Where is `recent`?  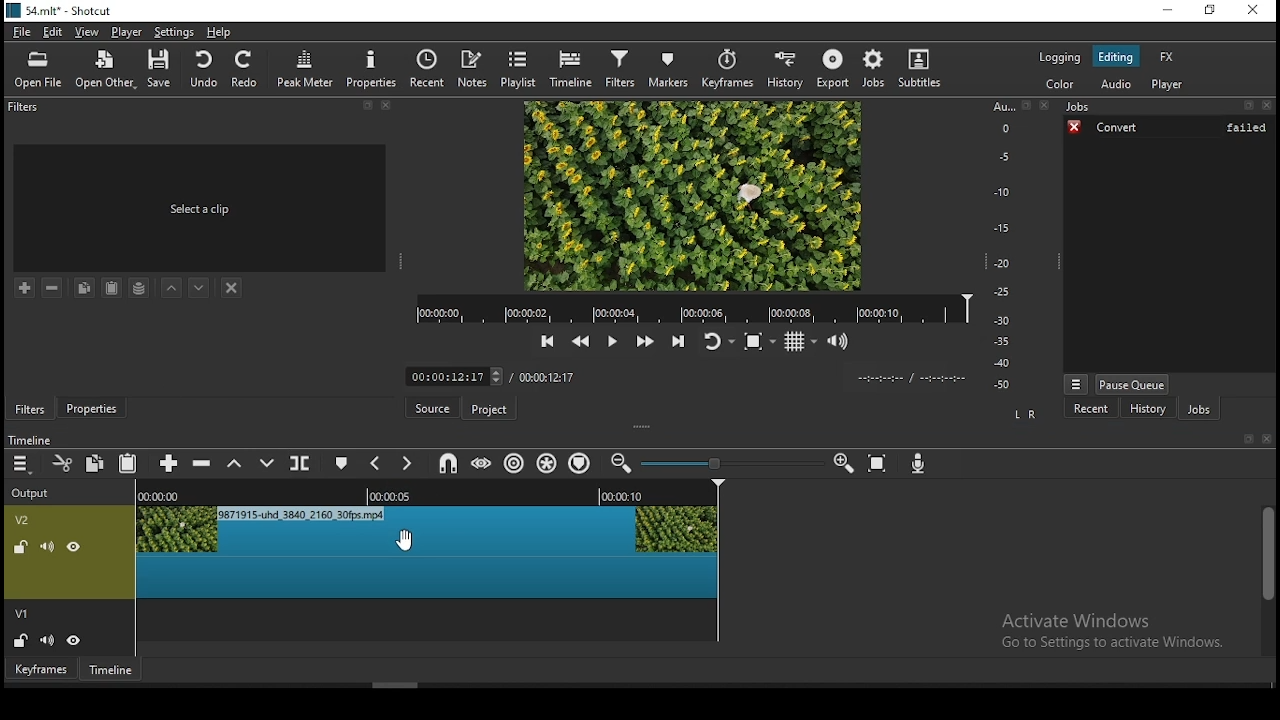
recent is located at coordinates (1082, 408).